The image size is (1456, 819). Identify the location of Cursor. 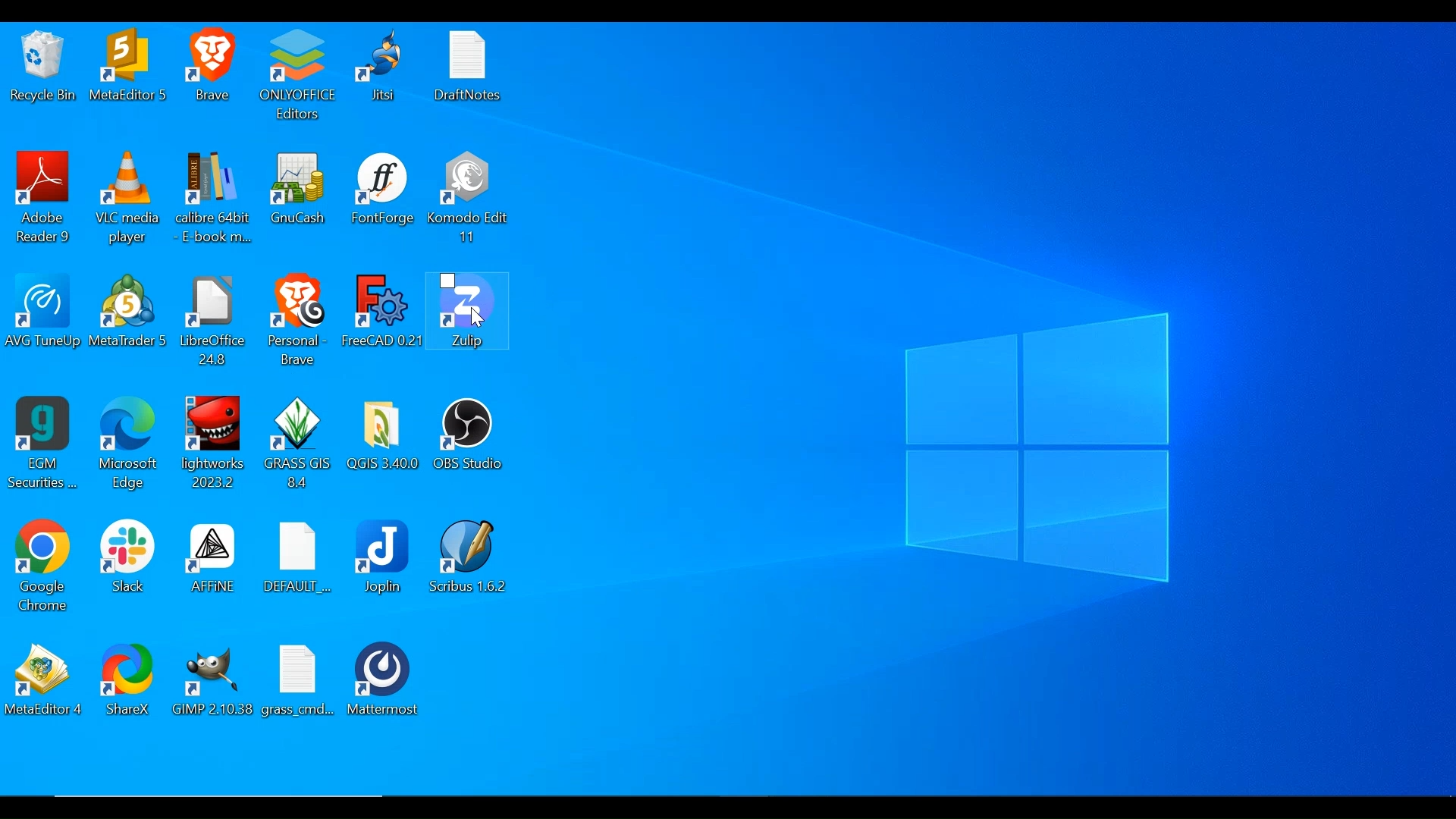
(474, 319).